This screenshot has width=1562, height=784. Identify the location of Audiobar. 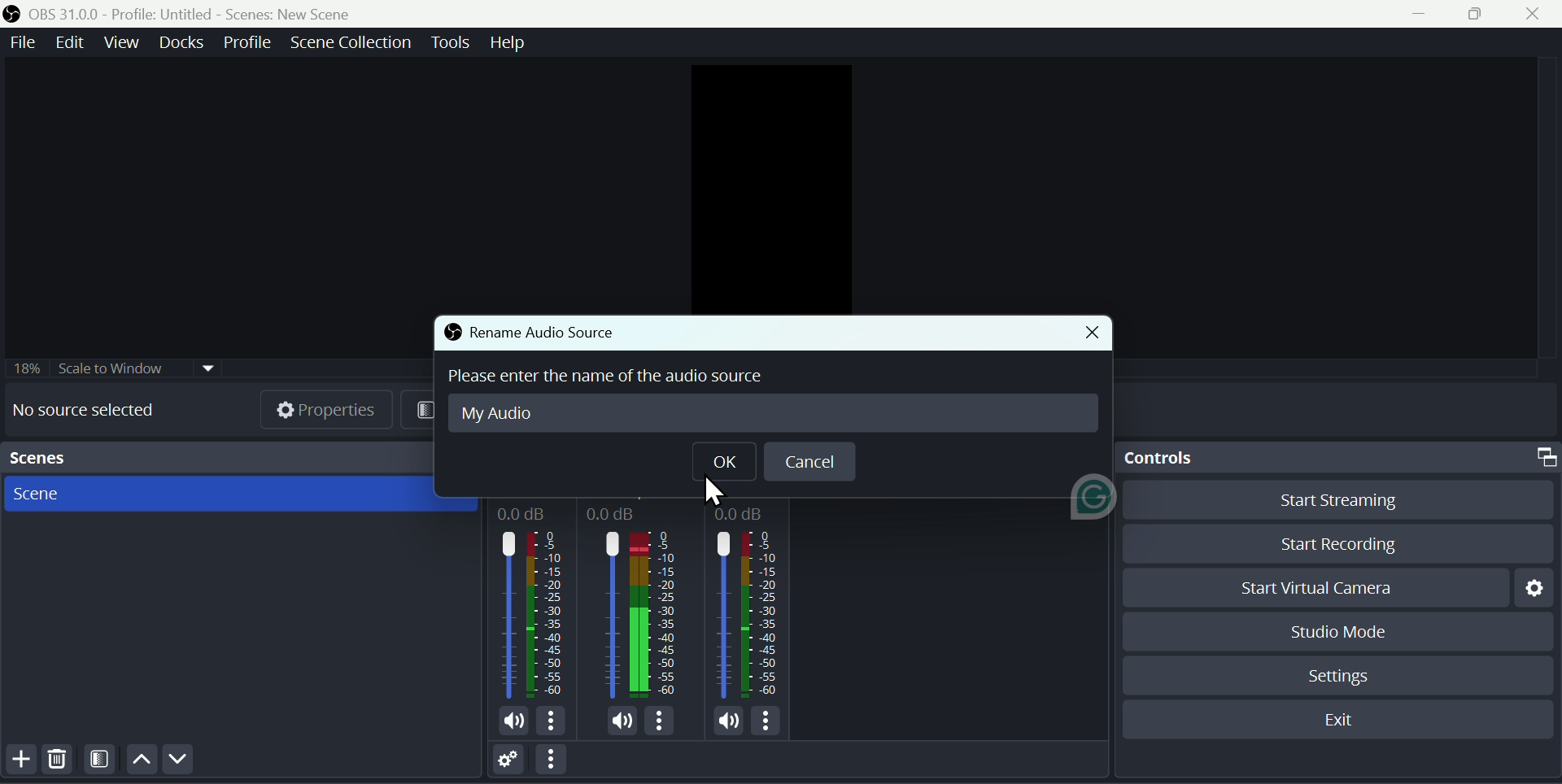
(644, 616).